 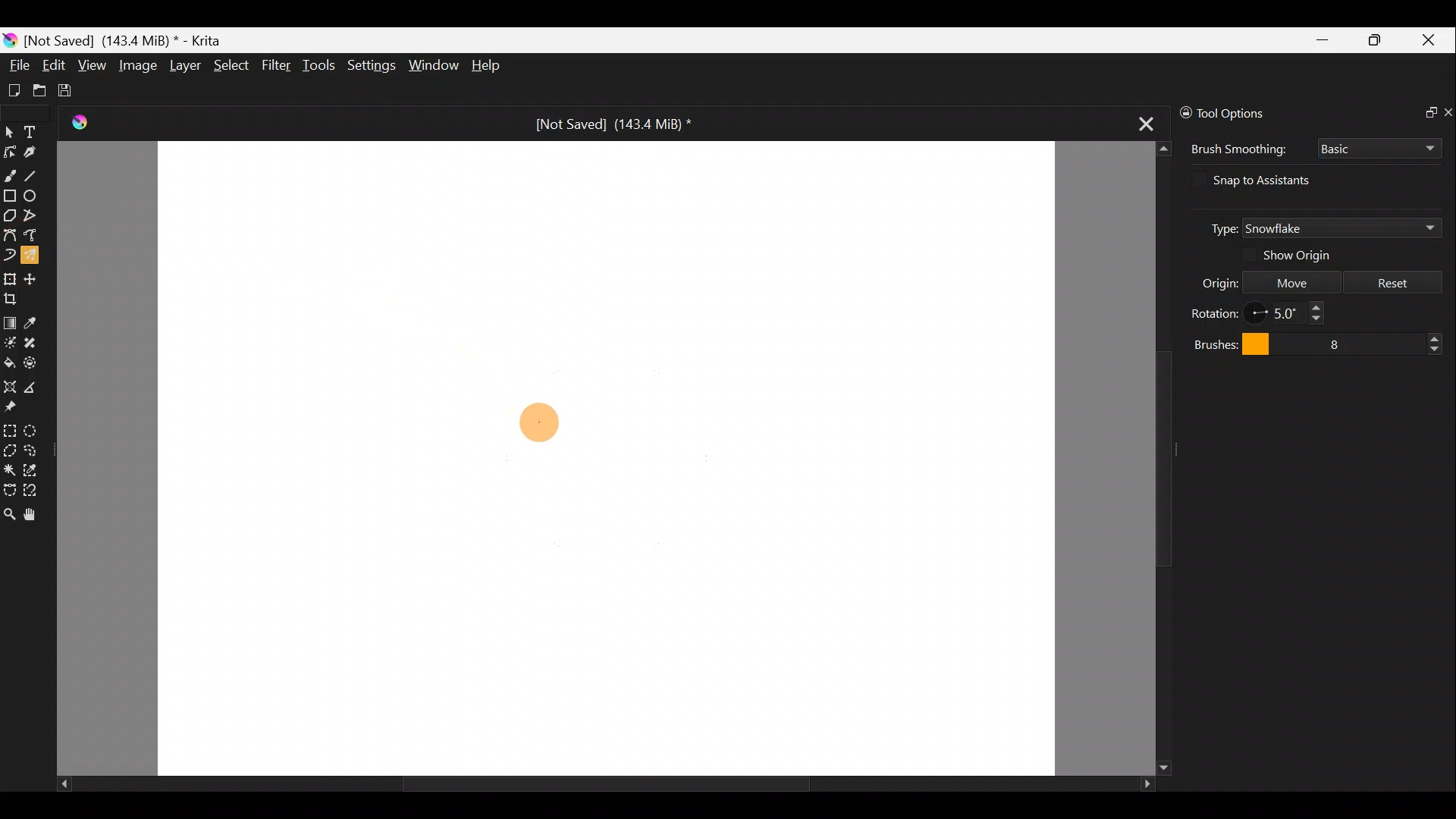 What do you see at coordinates (1292, 313) in the screenshot?
I see `5.0` at bounding box center [1292, 313].